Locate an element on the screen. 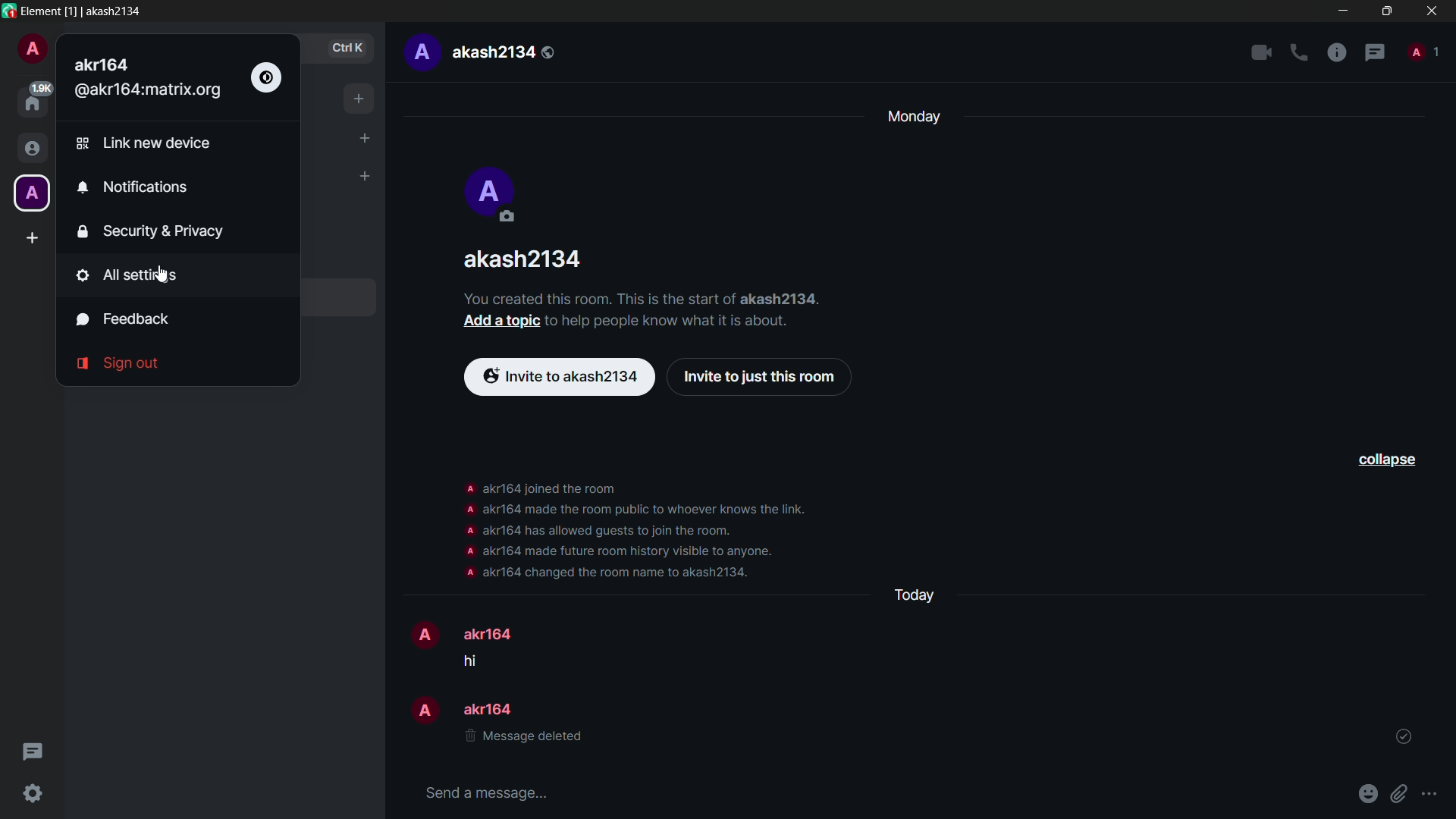 This screenshot has height=819, width=1456. minimize is located at coordinates (1345, 11).